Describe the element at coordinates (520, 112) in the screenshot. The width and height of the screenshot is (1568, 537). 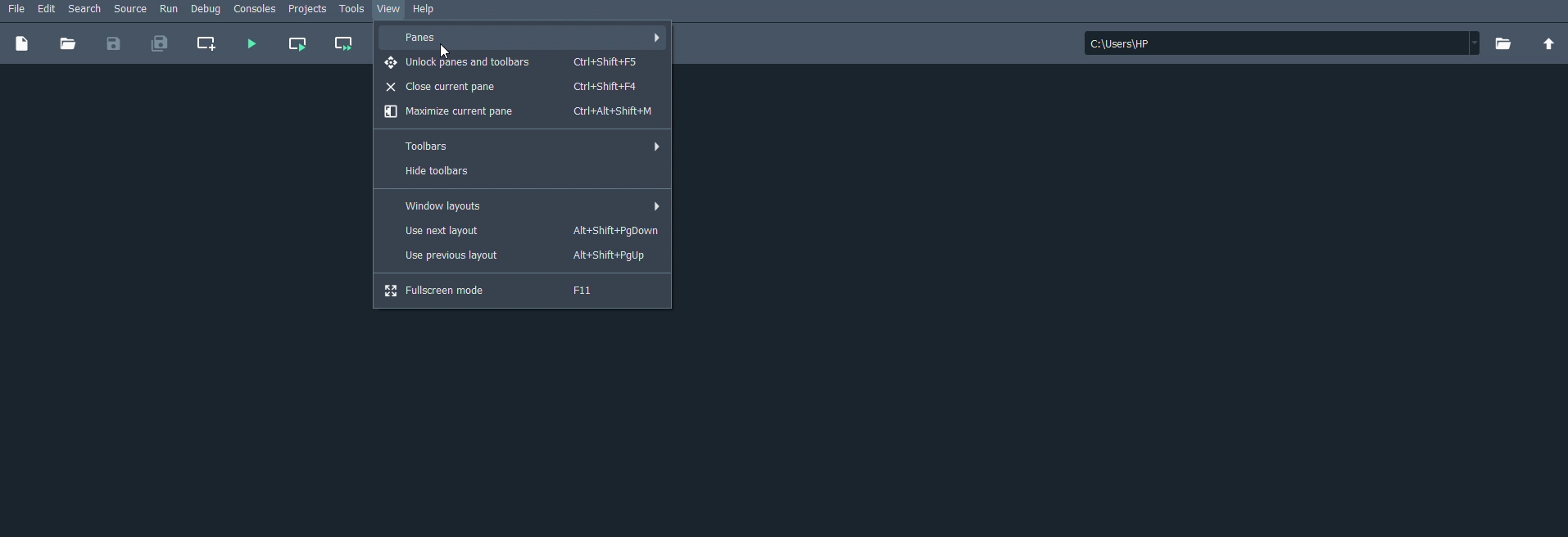
I see `Maximize current pane` at that location.